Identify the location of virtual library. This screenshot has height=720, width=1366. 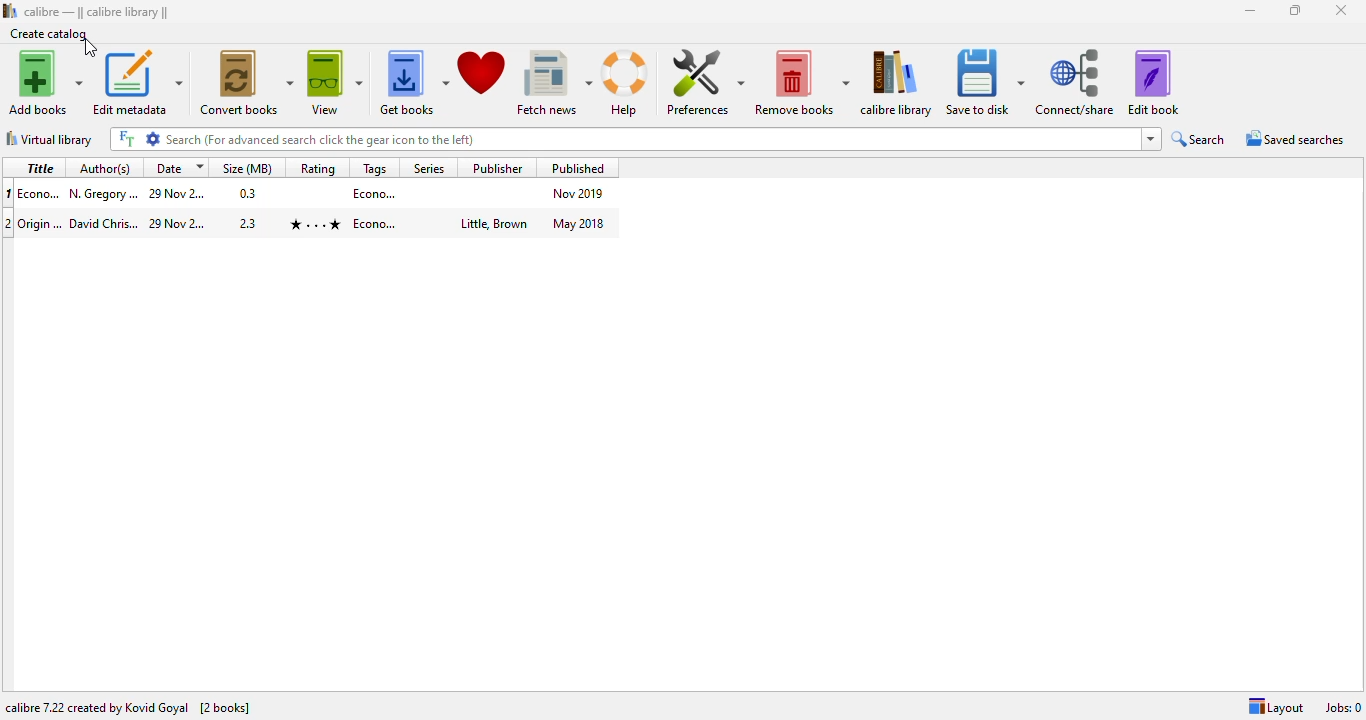
(49, 138).